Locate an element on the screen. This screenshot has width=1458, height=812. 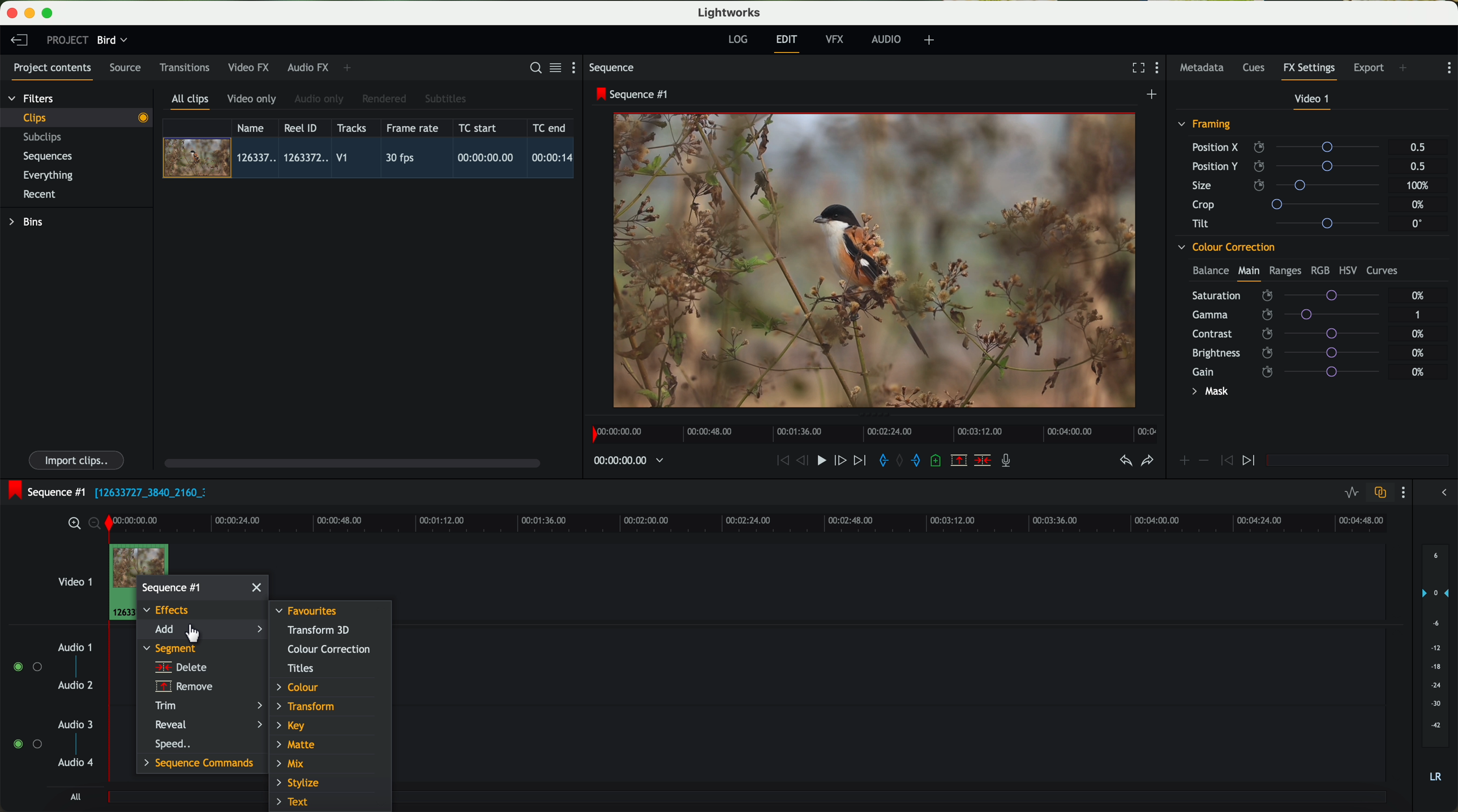
frame rate is located at coordinates (413, 128).